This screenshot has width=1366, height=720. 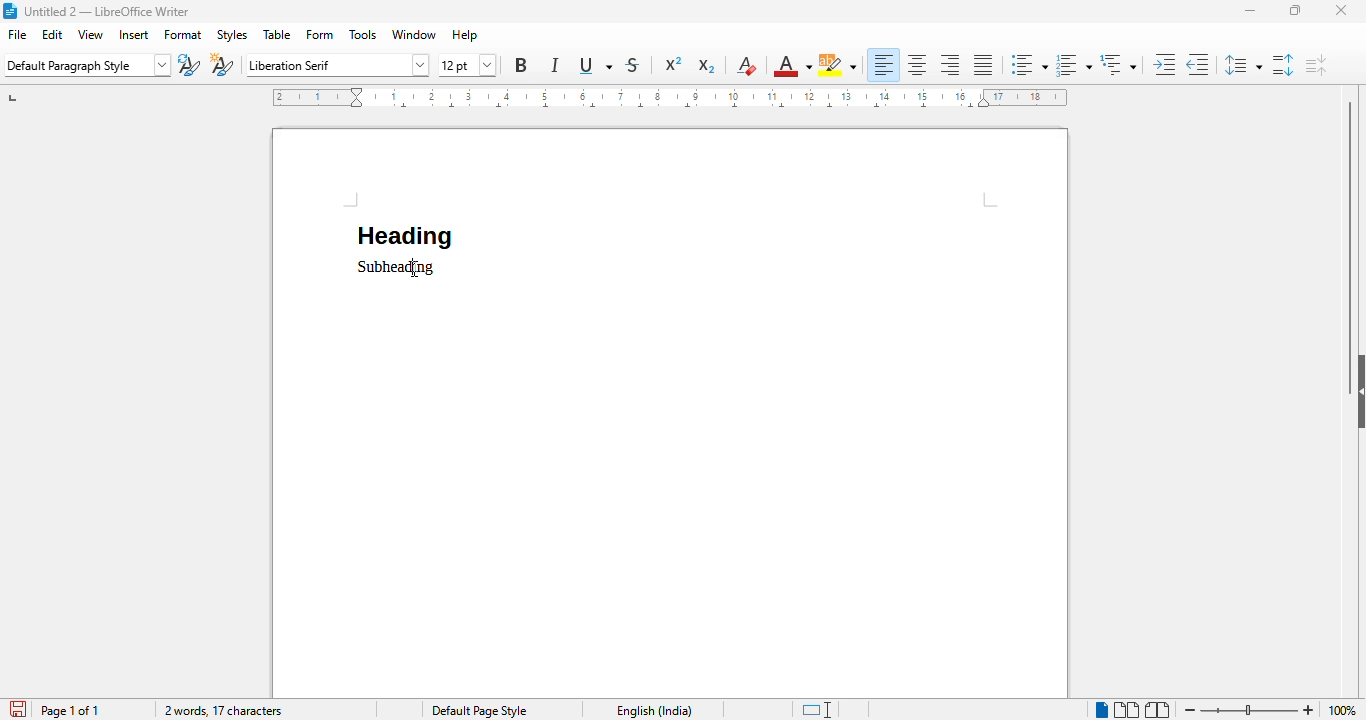 I want to click on single-page view, so click(x=1102, y=710).